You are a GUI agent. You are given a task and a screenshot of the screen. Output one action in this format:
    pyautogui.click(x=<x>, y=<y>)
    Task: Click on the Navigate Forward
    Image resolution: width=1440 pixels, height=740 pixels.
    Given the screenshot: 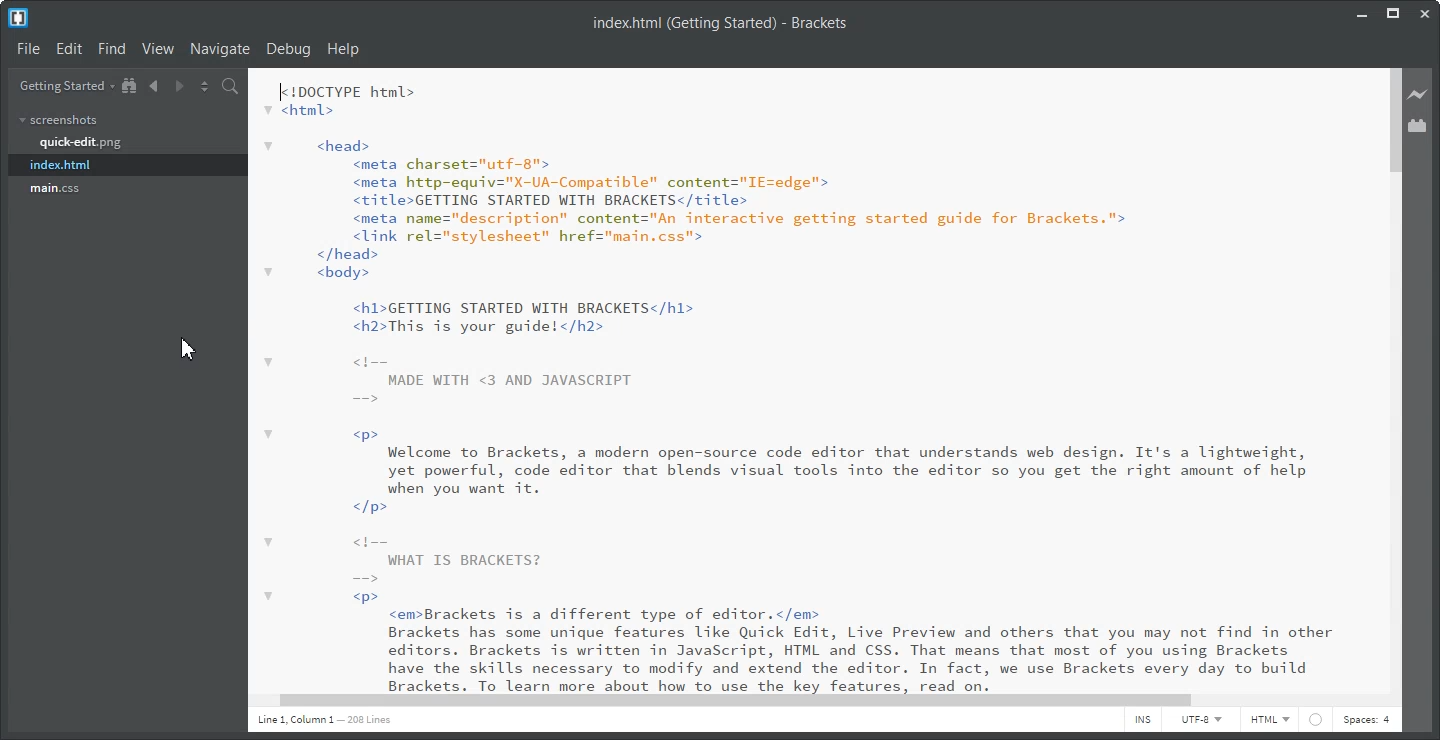 What is the action you would take?
    pyautogui.click(x=180, y=85)
    